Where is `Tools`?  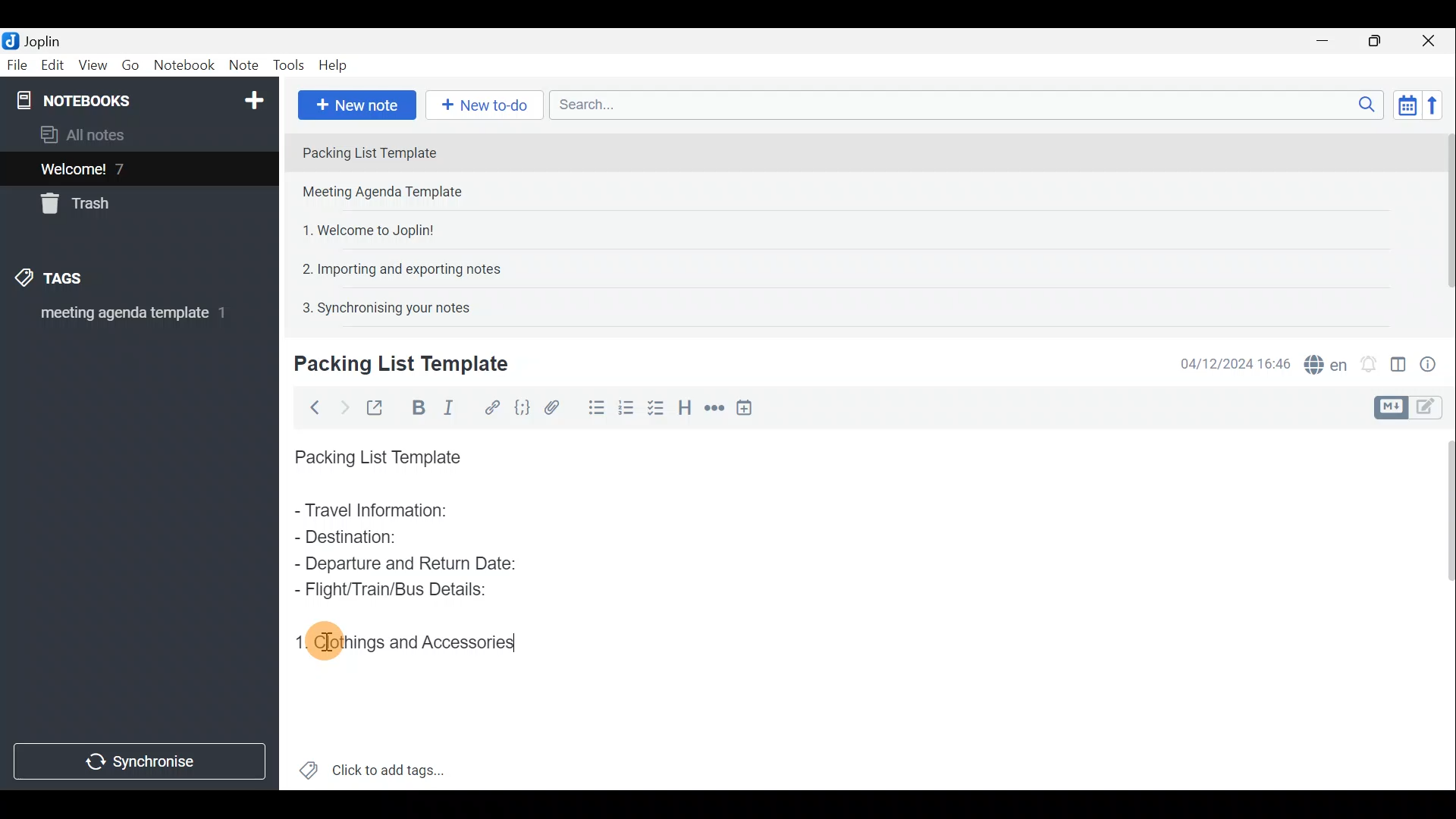
Tools is located at coordinates (290, 66).